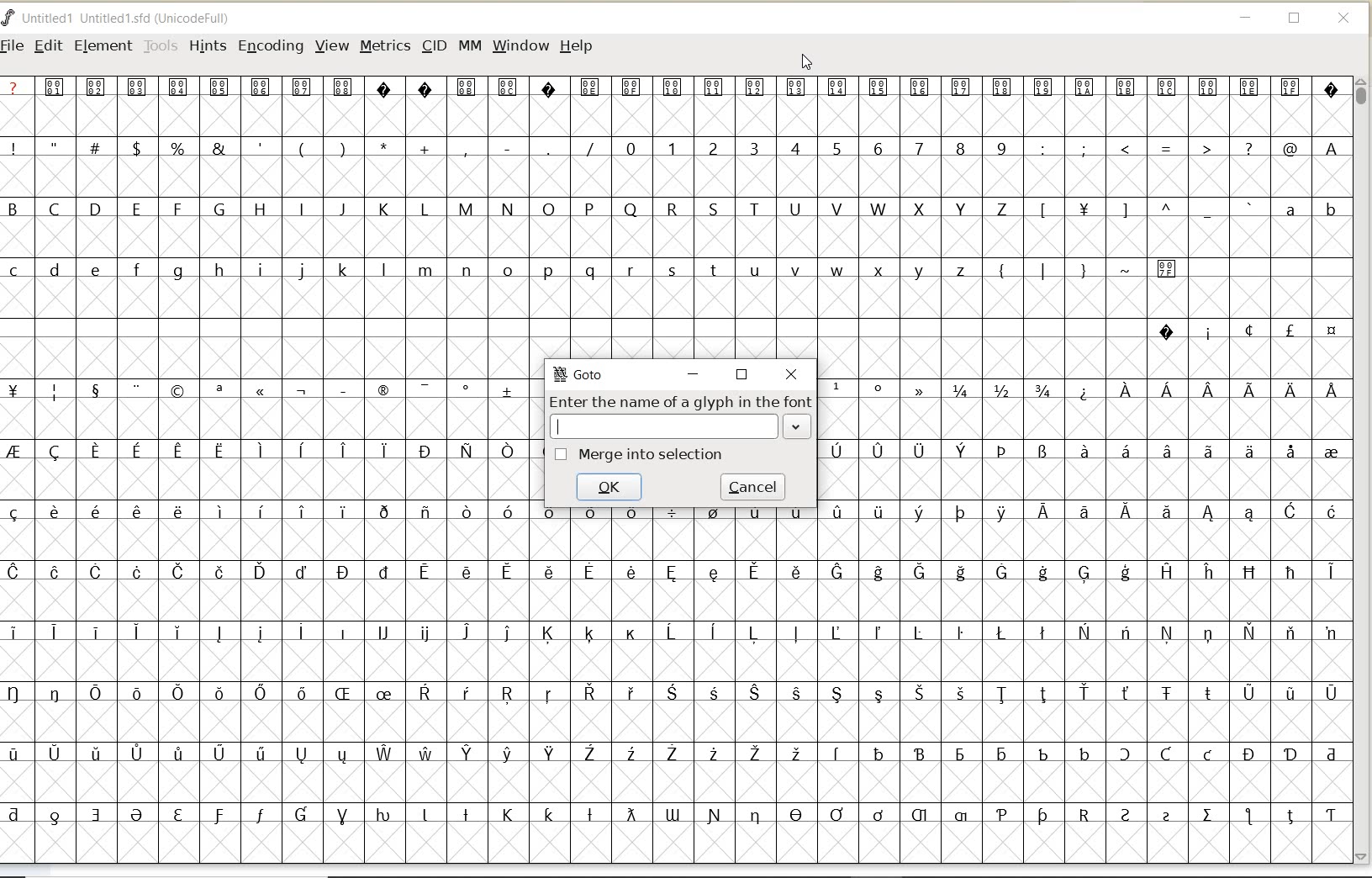 This screenshot has height=878, width=1372. I want to click on uppercase letters, so click(511, 209).